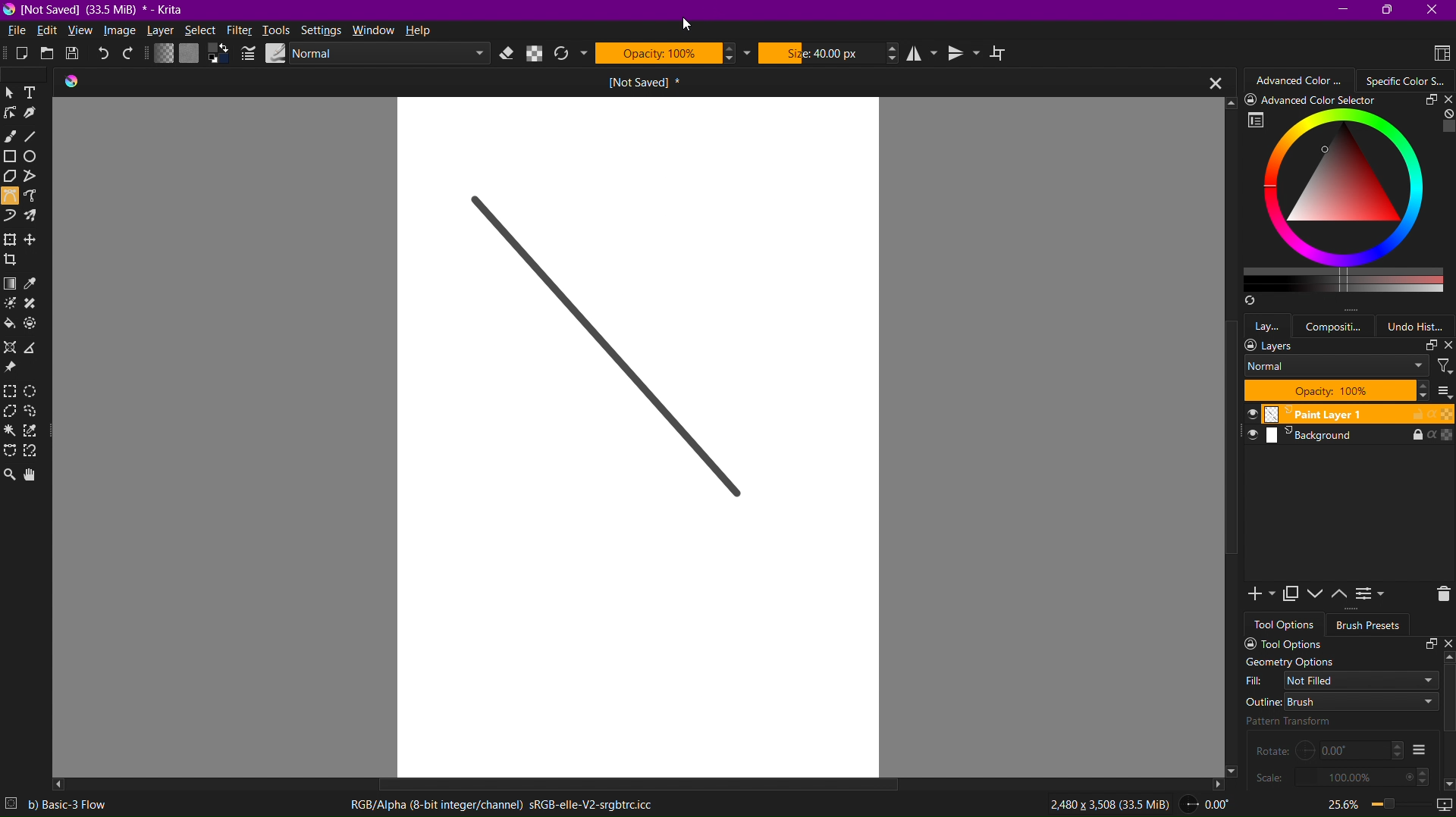 Image resolution: width=1456 pixels, height=817 pixels. Describe the element at coordinates (1318, 594) in the screenshot. I see `Move Layer or Mask Down` at that location.